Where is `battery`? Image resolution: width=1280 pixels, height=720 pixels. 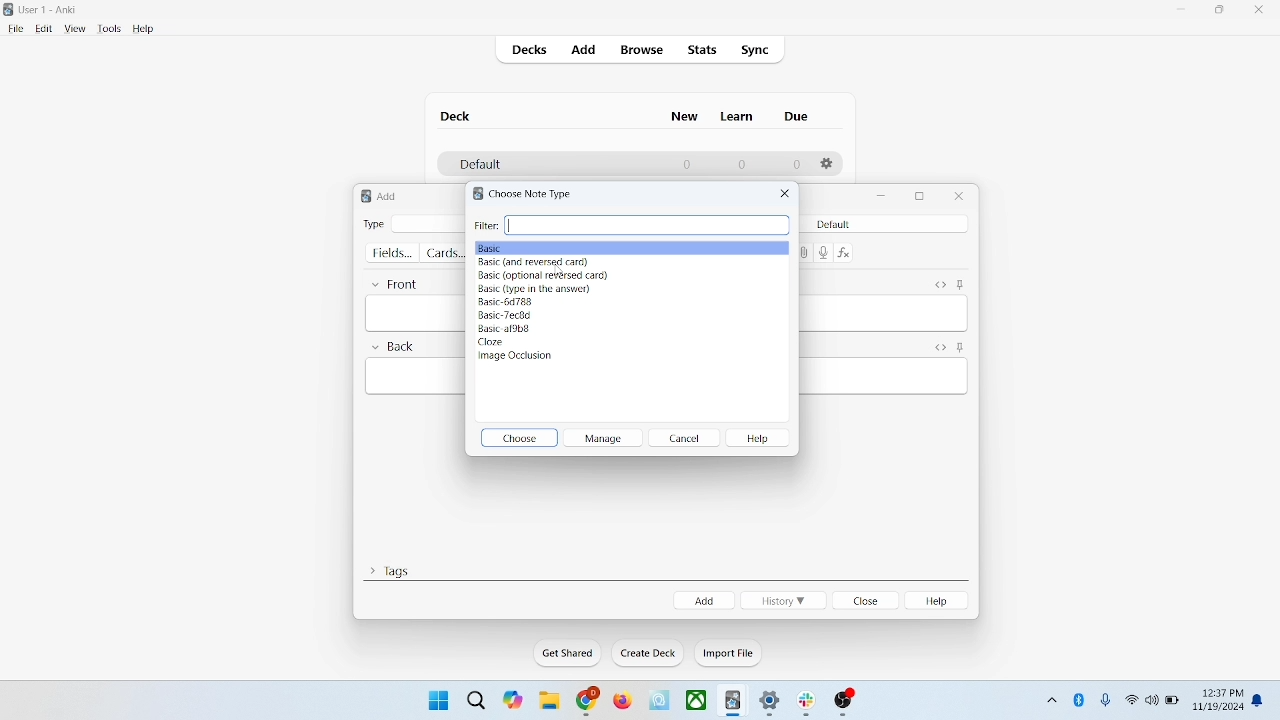 battery is located at coordinates (1173, 702).